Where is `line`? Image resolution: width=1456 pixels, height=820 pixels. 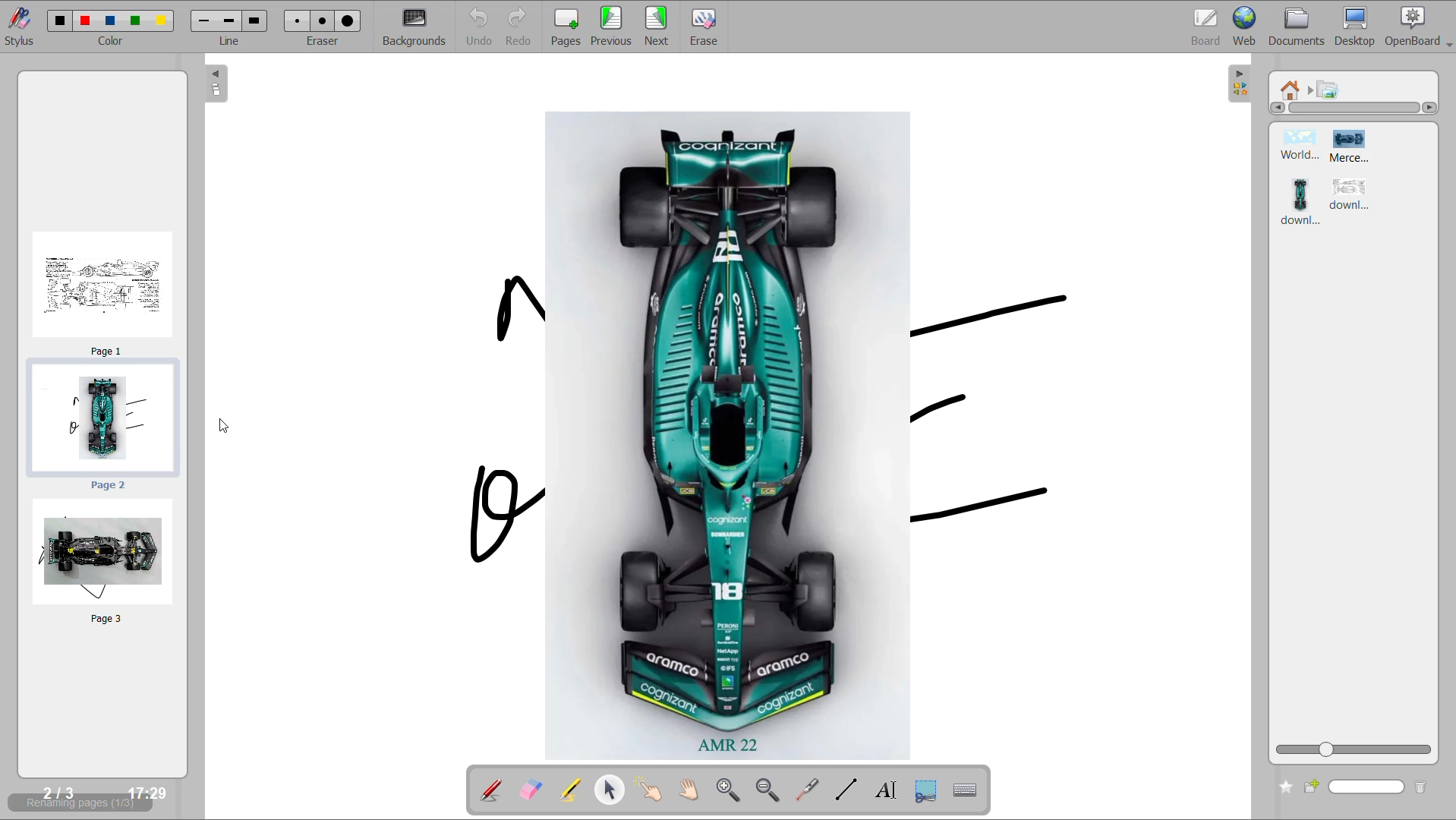
line is located at coordinates (232, 42).